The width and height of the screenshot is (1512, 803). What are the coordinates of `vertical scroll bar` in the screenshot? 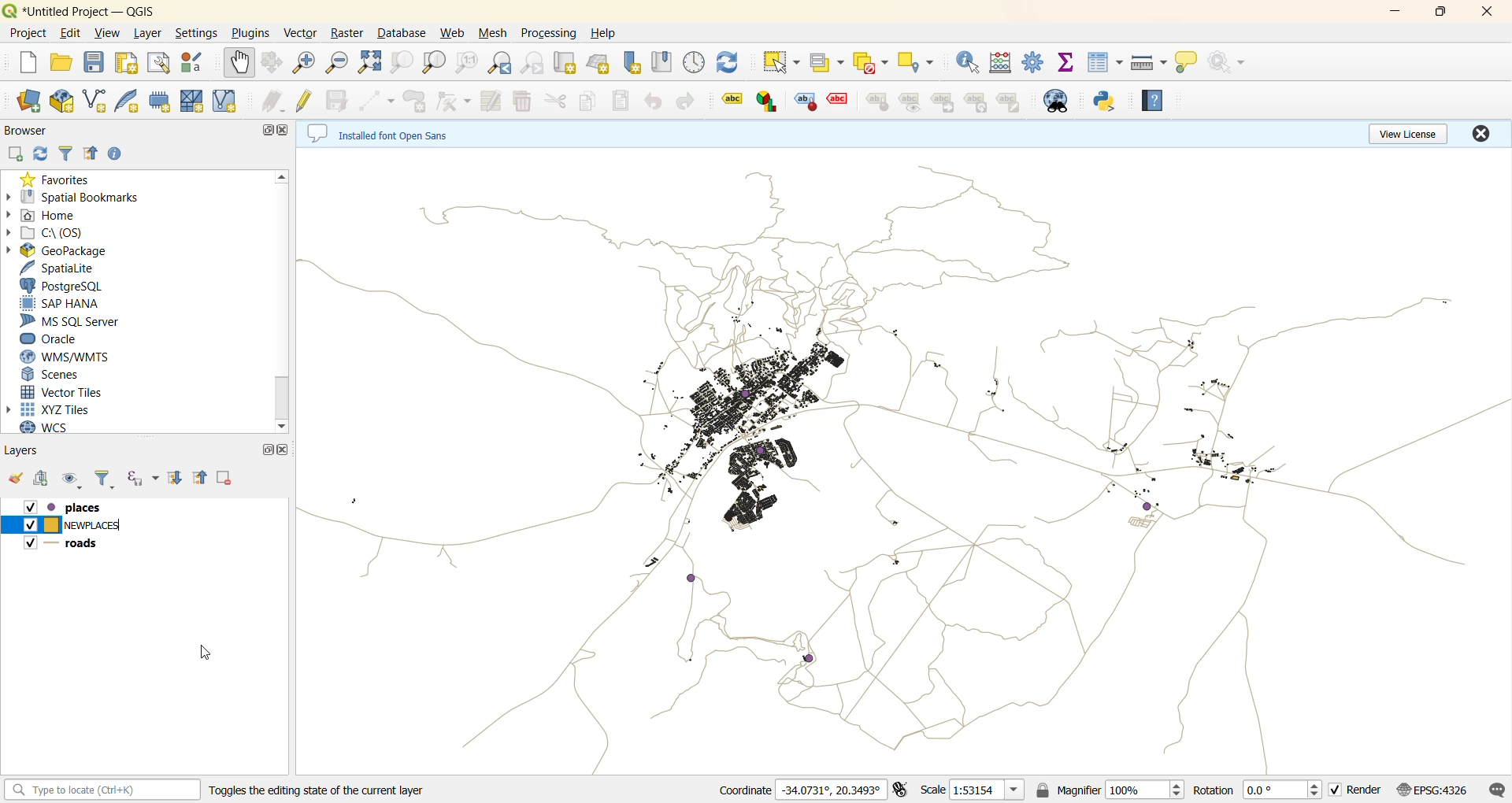 It's located at (286, 302).